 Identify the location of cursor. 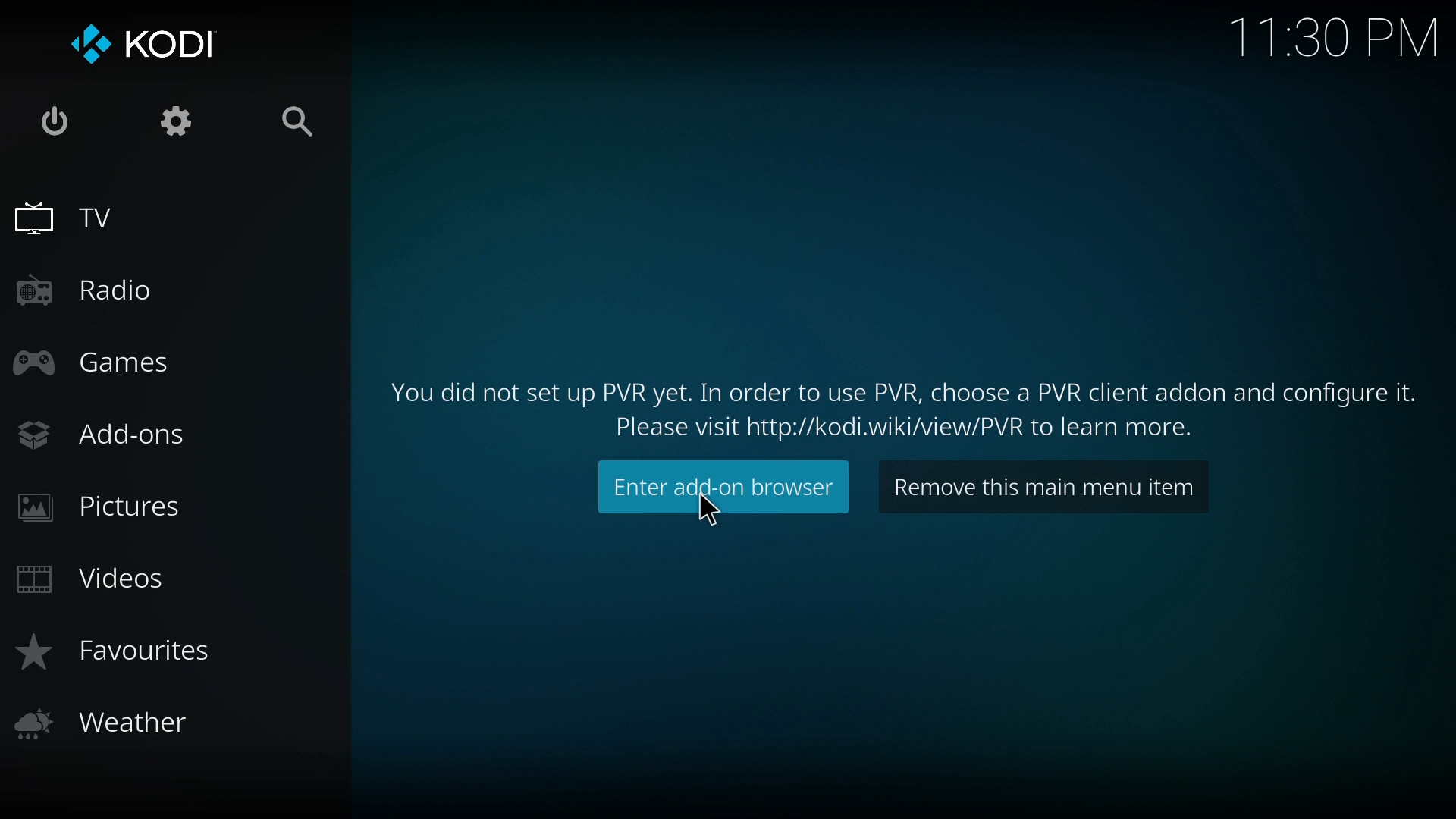
(718, 511).